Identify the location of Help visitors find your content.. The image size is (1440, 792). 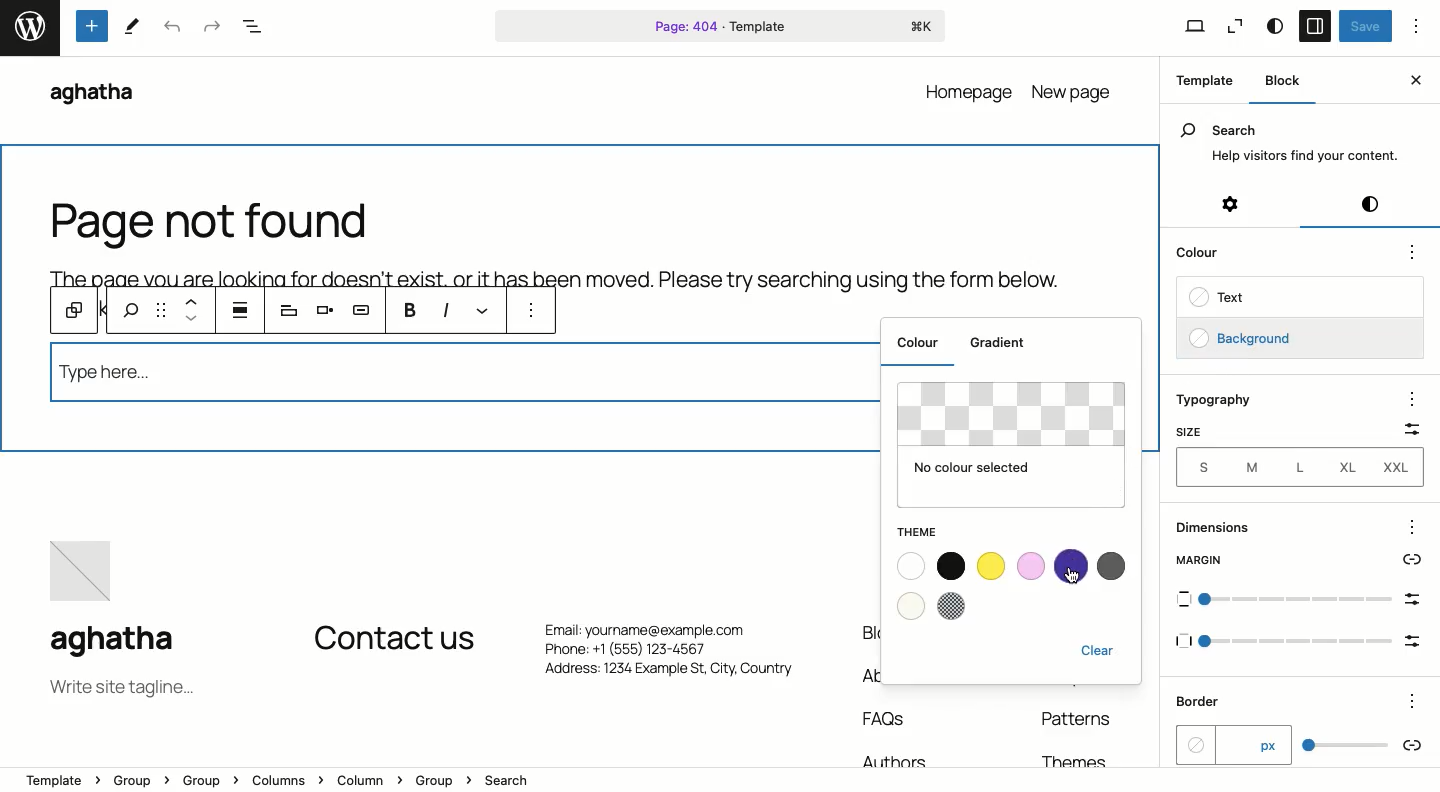
(1305, 157).